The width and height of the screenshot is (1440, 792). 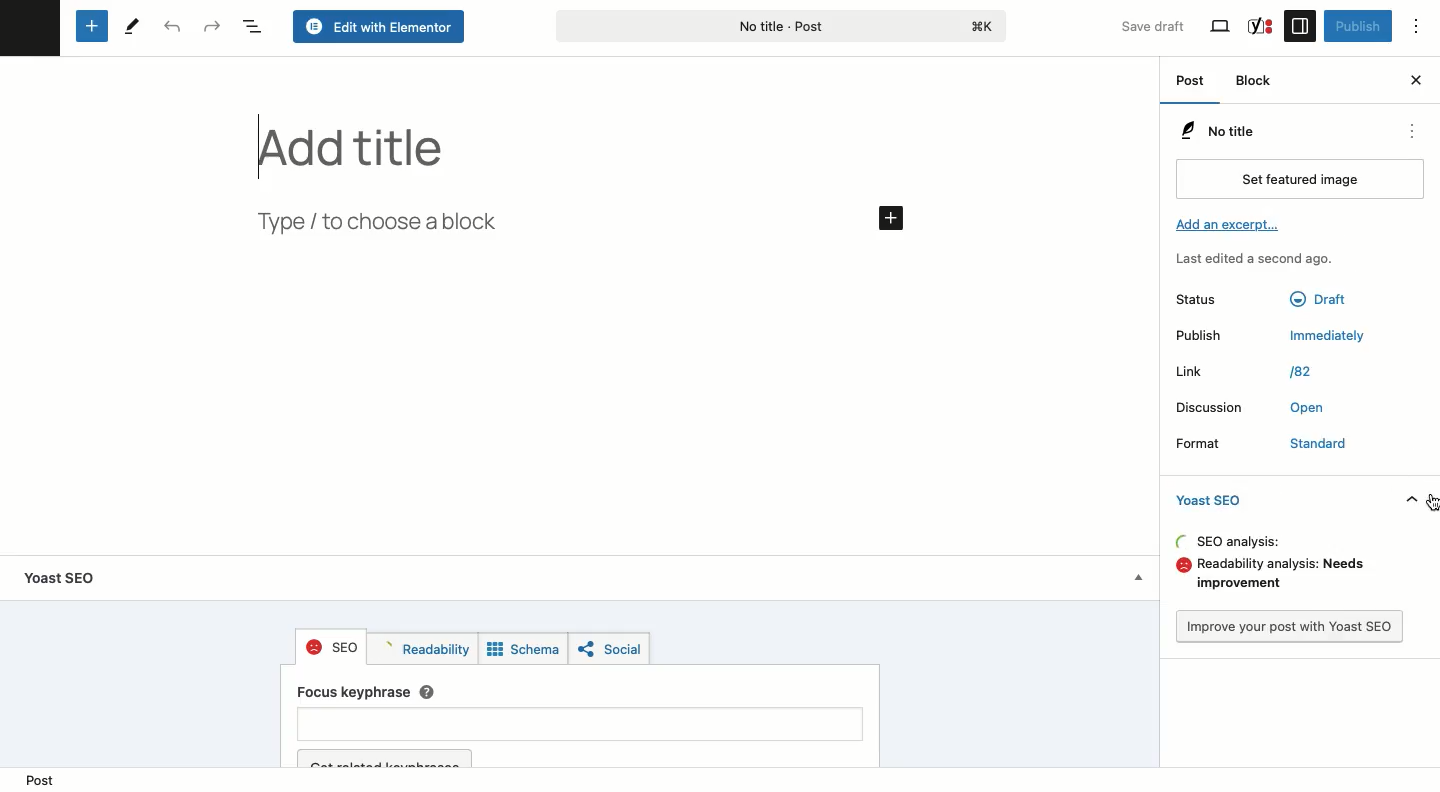 What do you see at coordinates (1226, 222) in the screenshot?
I see `Add an excerpt` at bounding box center [1226, 222].